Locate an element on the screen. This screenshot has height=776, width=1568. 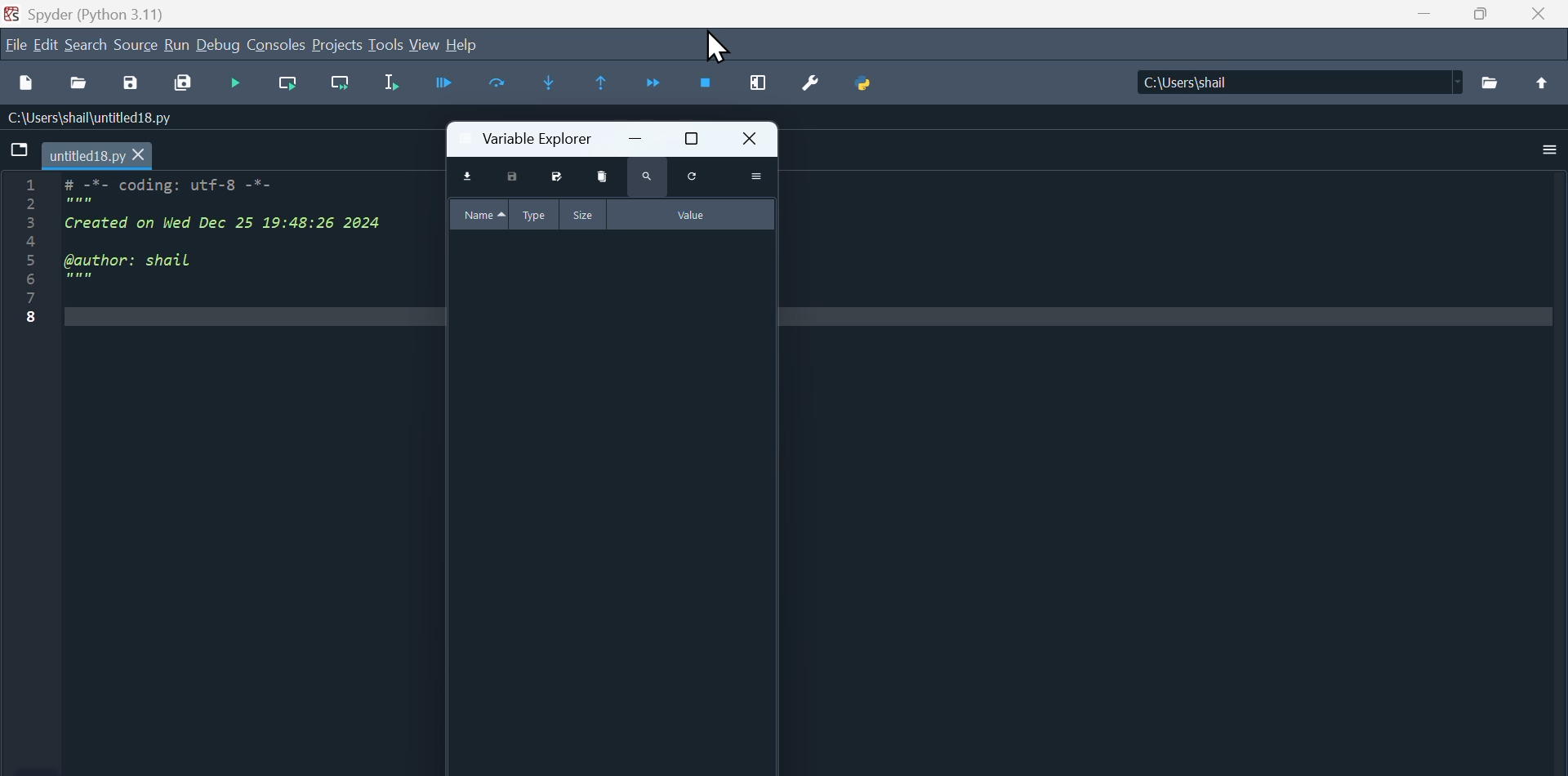
Debugging is located at coordinates (238, 83).